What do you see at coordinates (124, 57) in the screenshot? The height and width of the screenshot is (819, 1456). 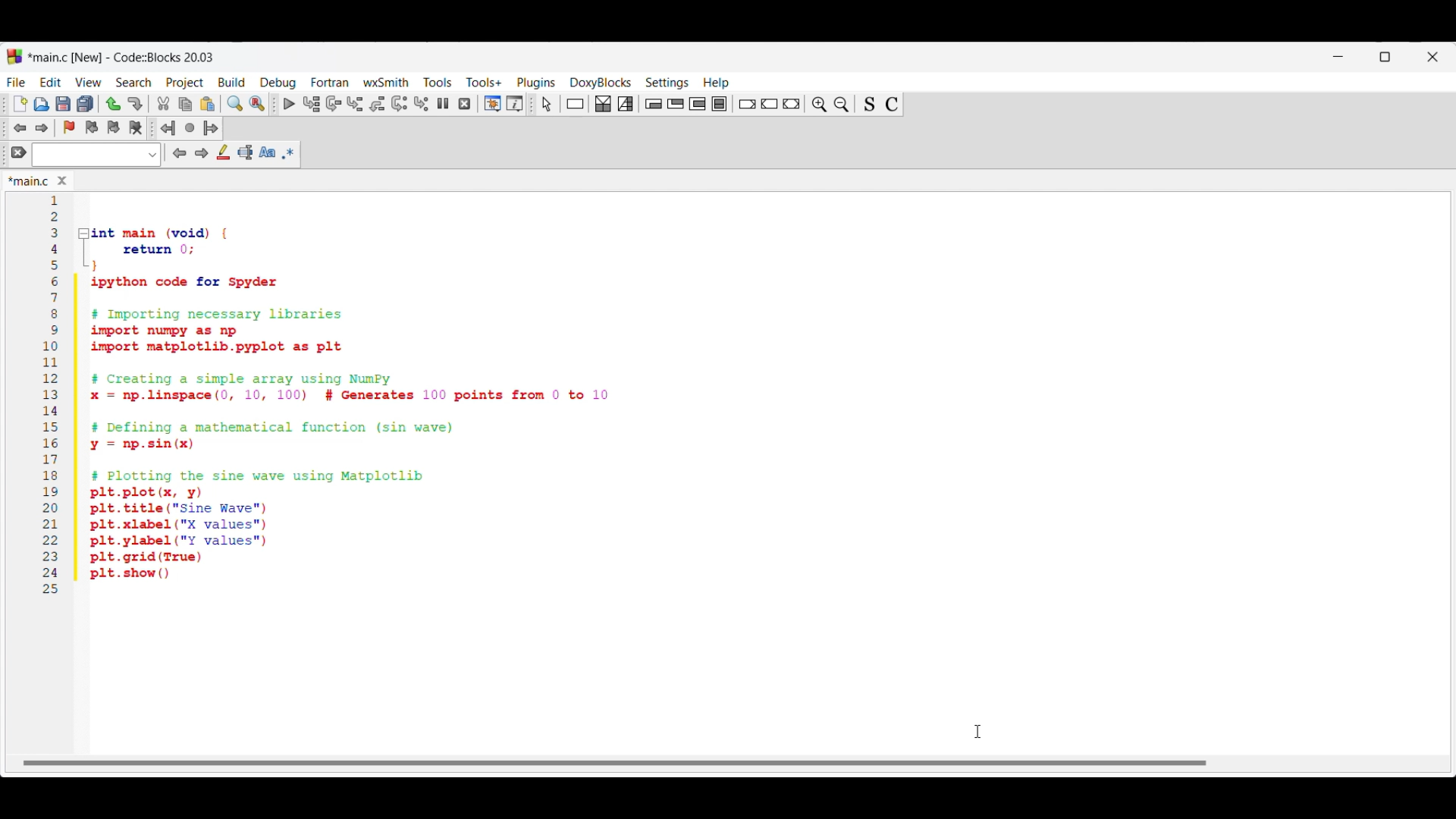 I see `Project name, software name and version` at bounding box center [124, 57].